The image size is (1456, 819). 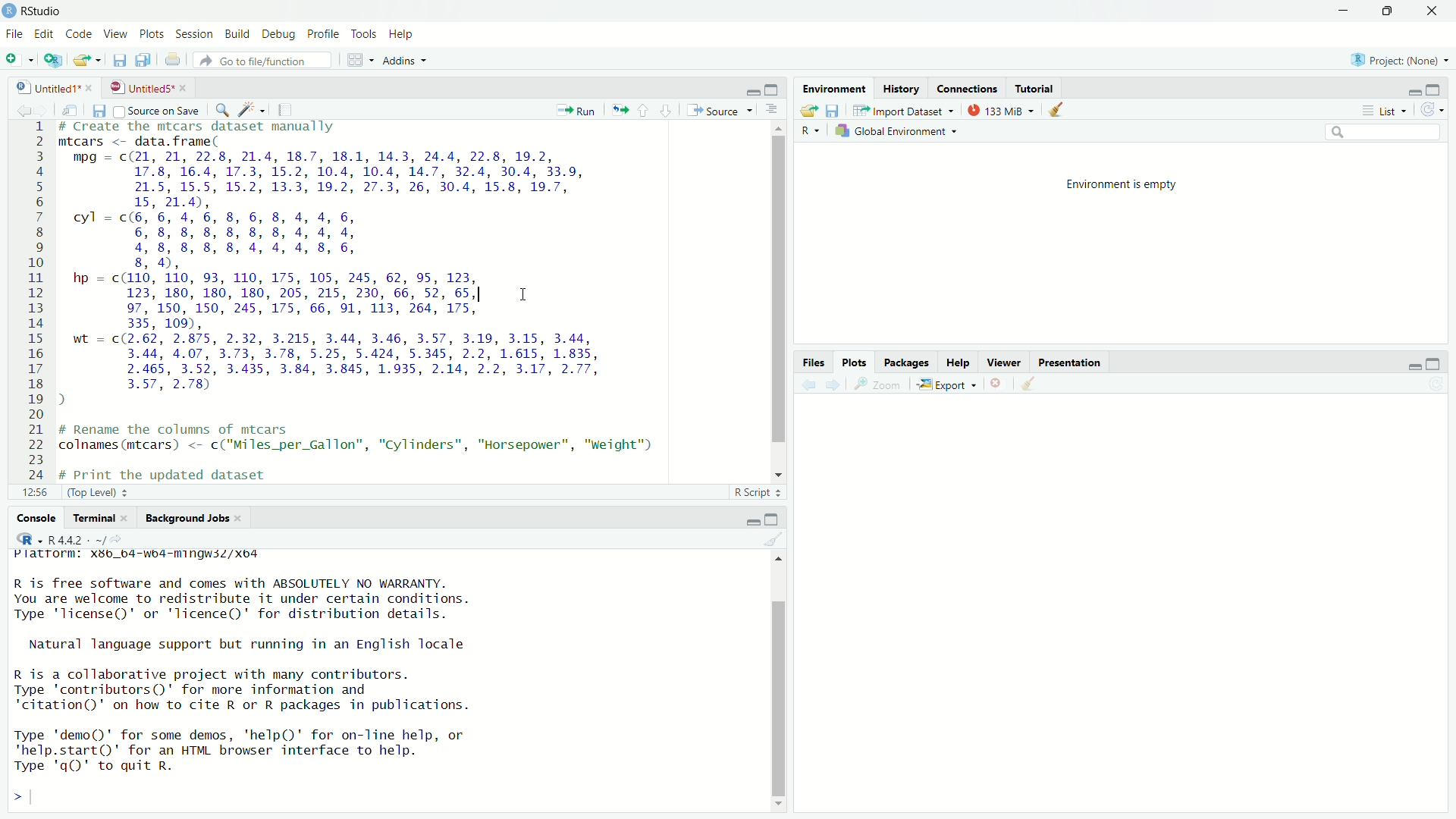 What do you see at coordinates (1072, 364) in the screenshot?
I see `Presentation` at bounding box center [1072, 364].